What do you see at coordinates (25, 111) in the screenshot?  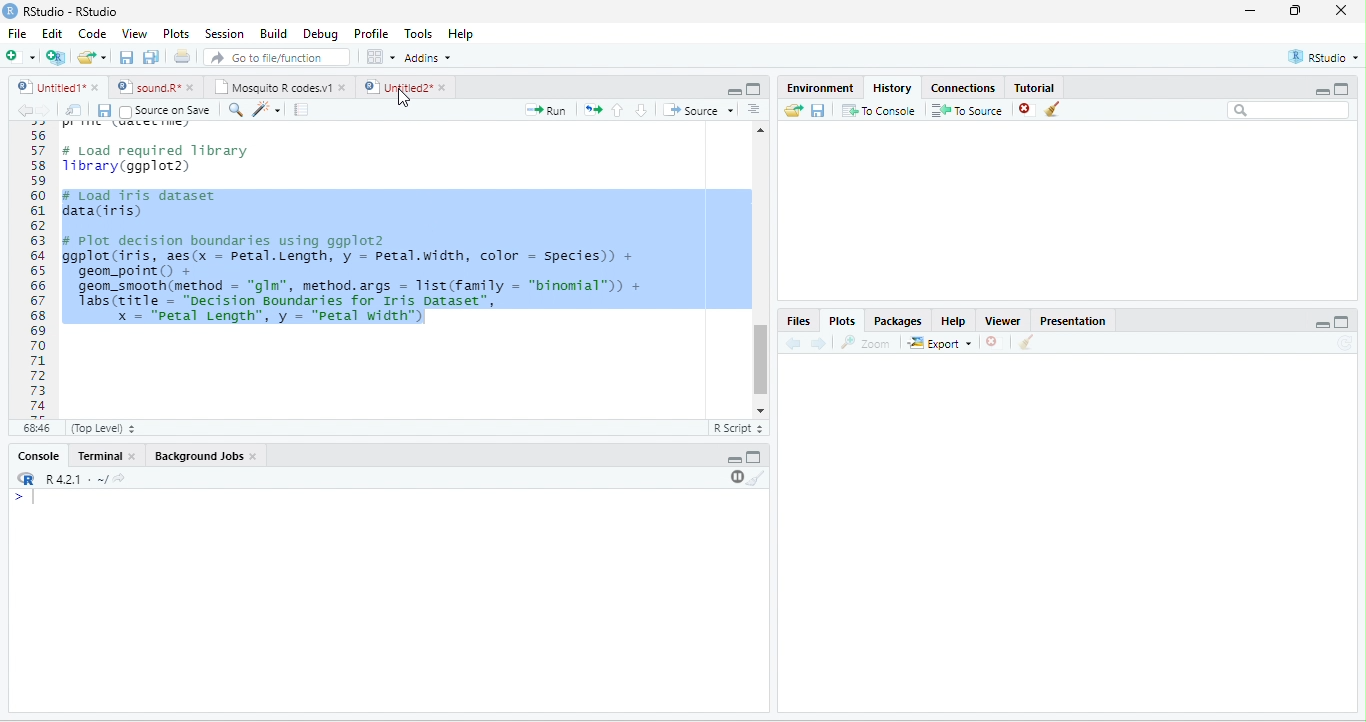 I see `back` at bounding box center [25, 111].